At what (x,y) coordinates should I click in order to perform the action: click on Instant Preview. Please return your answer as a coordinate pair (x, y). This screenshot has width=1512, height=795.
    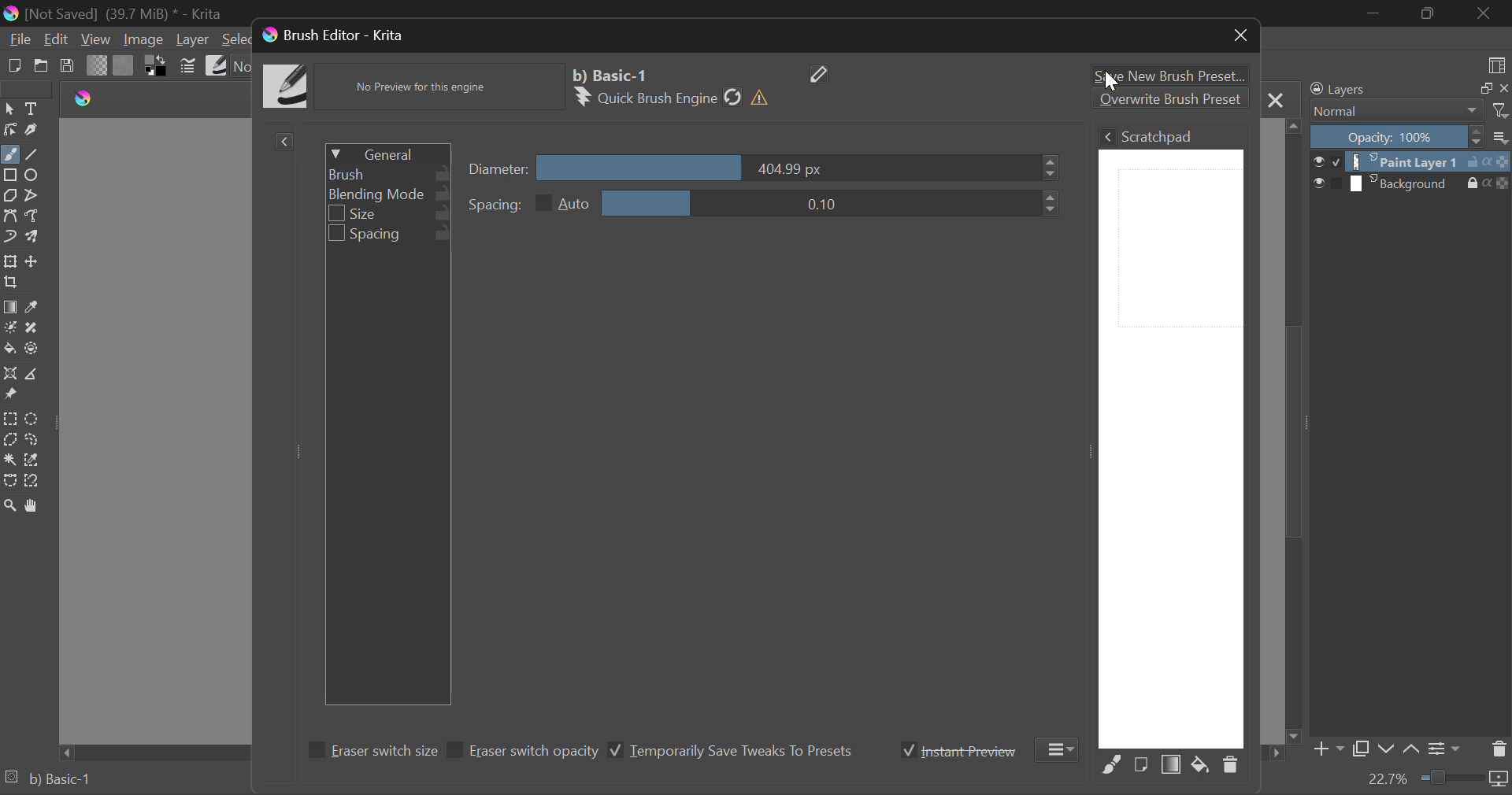
    Looking at the image, I should click on (959, 750).